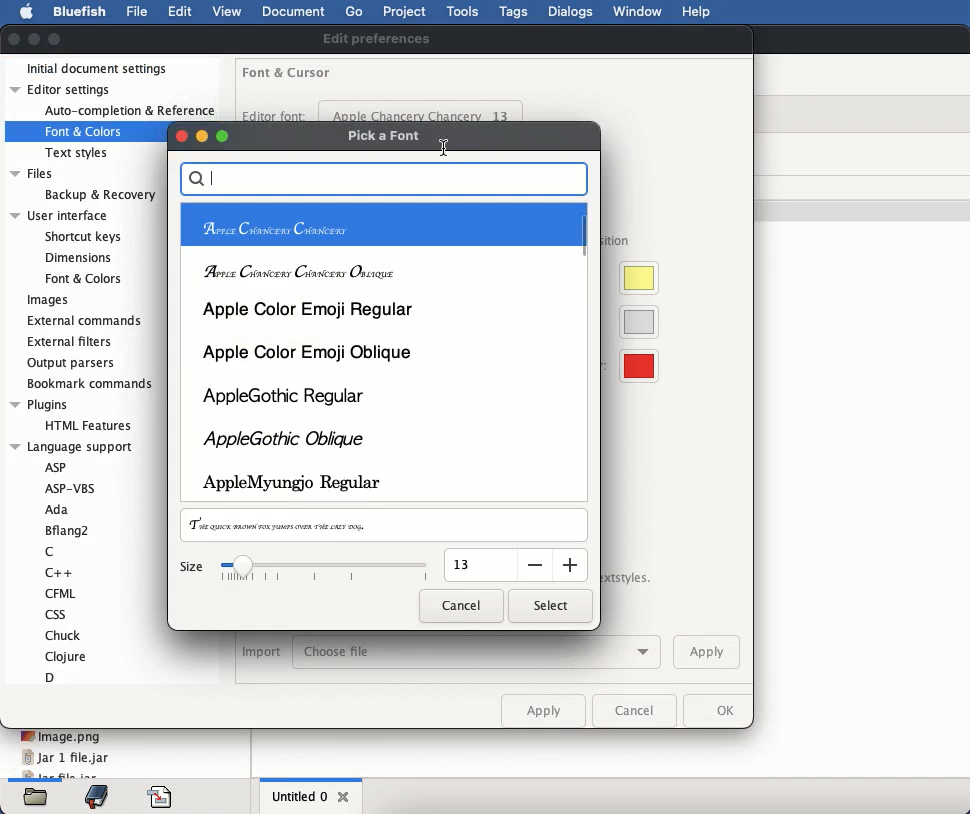 This screenshot has height=814, width=970. What do you see at coordinates (81, 14) in the screenshot?
I see `bluefish` at bounding box center [81, 14].